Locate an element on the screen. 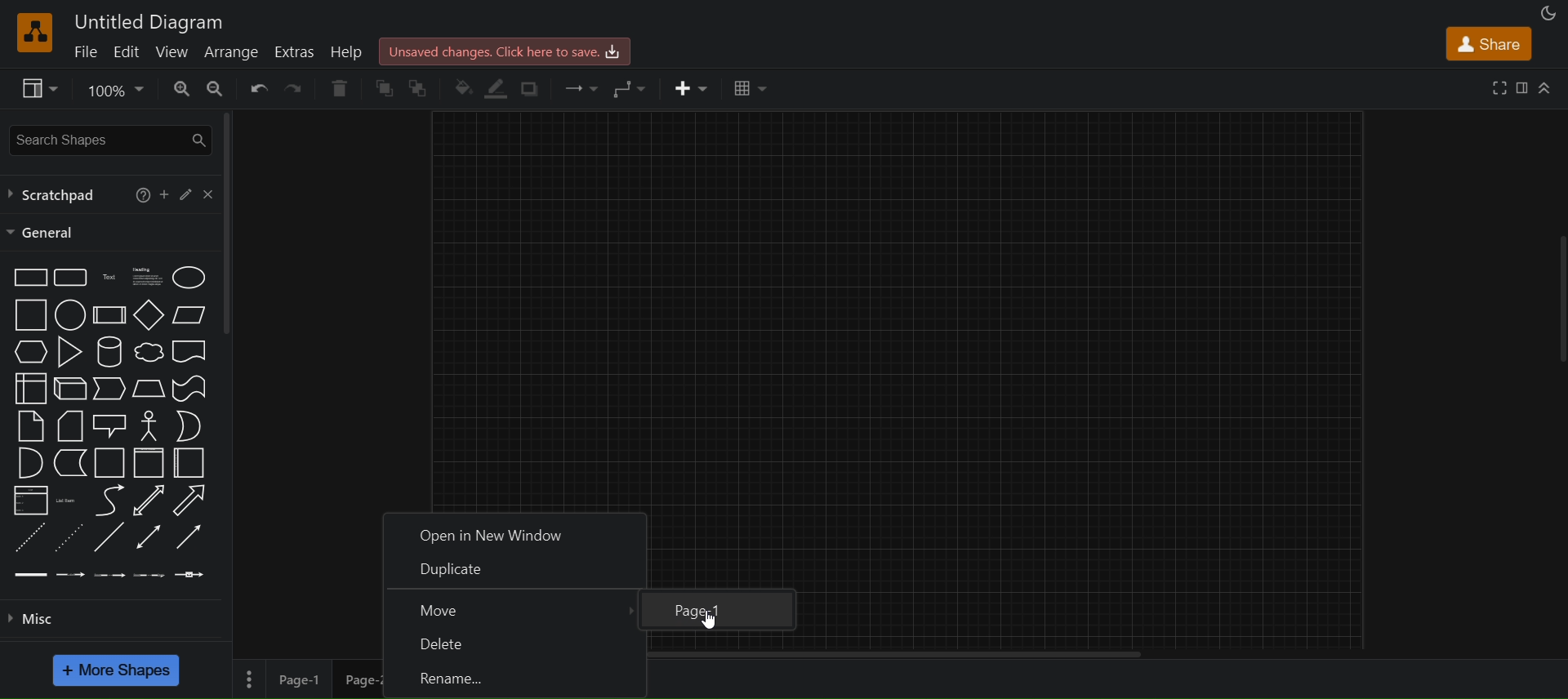 The width and height of the screenshot is (1568, 699). document is located at coordinates (190, 351).